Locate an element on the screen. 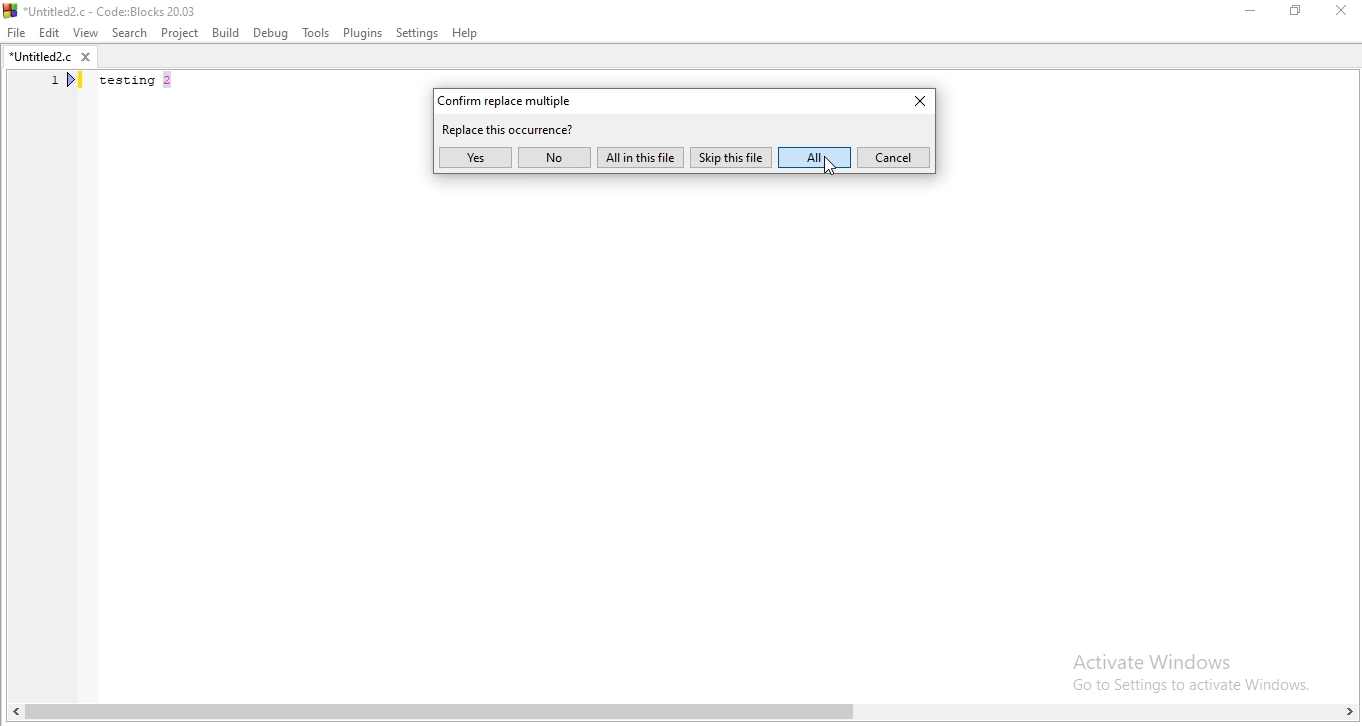 Image resolution: width=1362 pixels, height=726 pixels. skip this file is located at coordinates (731, 158).